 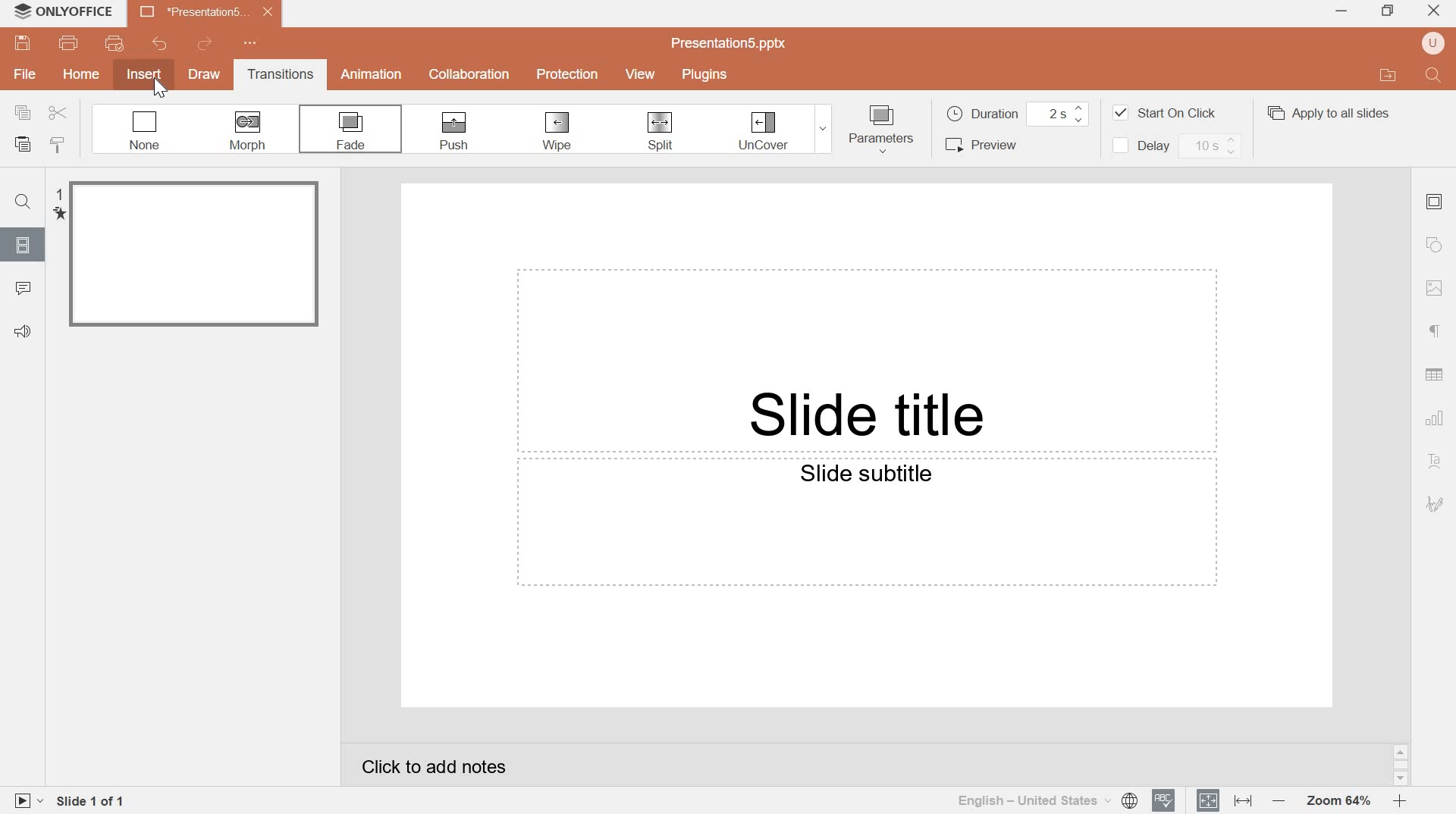 I want to click on scroll up, so click(x=1401, y=752).